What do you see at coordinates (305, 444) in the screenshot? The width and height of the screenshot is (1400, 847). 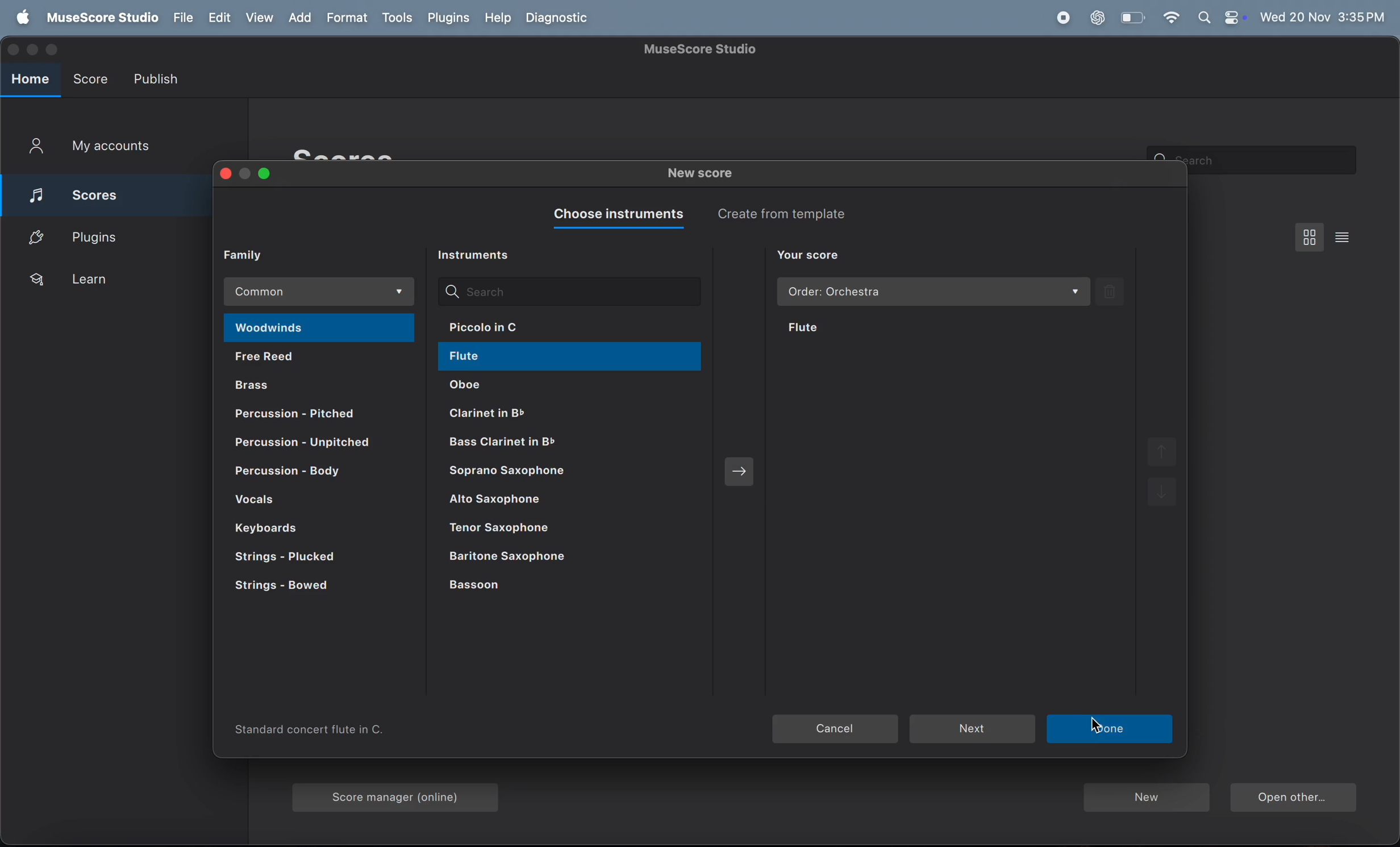 I see `percussion pitched` at bounding box center [305, 444].